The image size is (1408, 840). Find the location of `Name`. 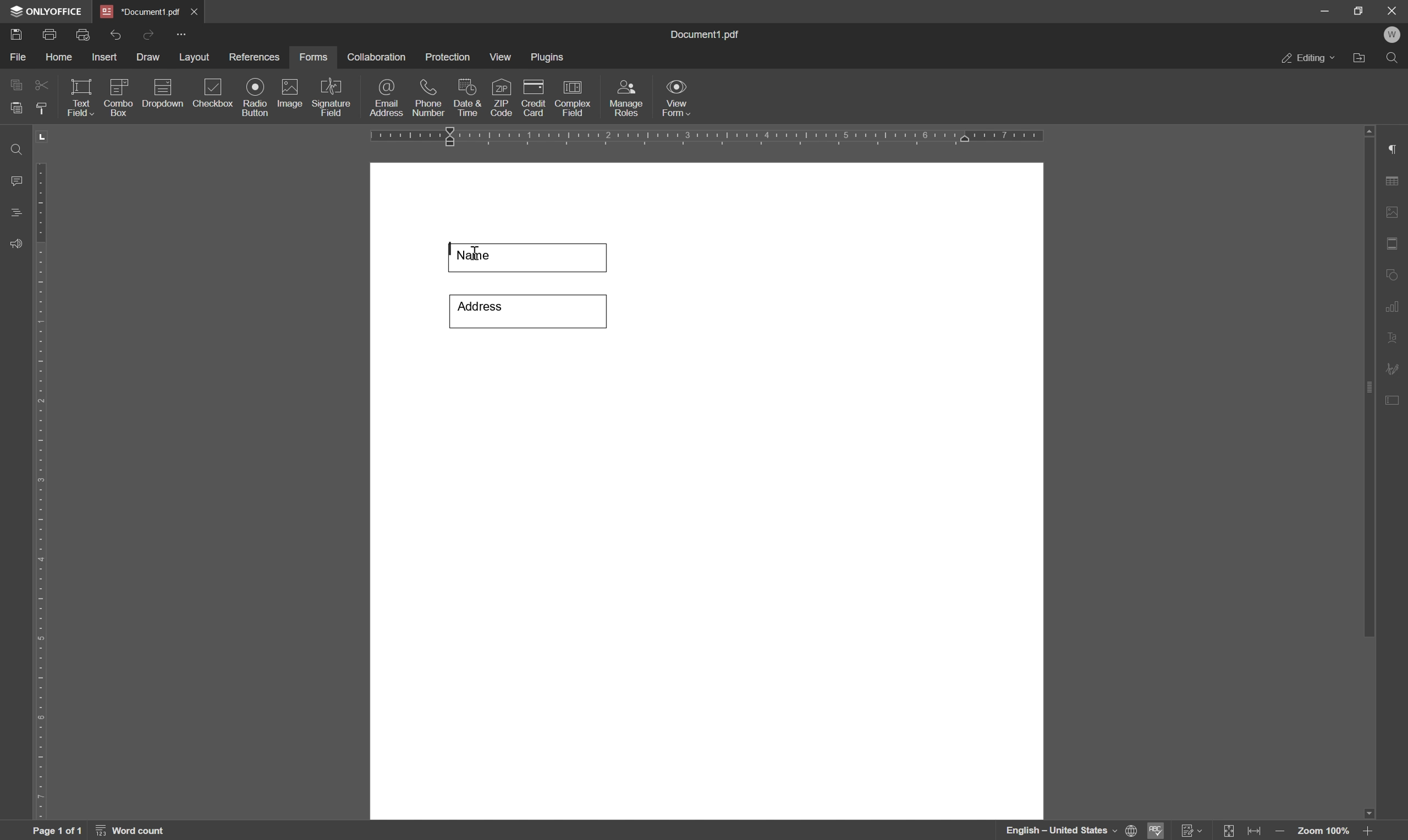

Name is located at coordinates (530, 256).